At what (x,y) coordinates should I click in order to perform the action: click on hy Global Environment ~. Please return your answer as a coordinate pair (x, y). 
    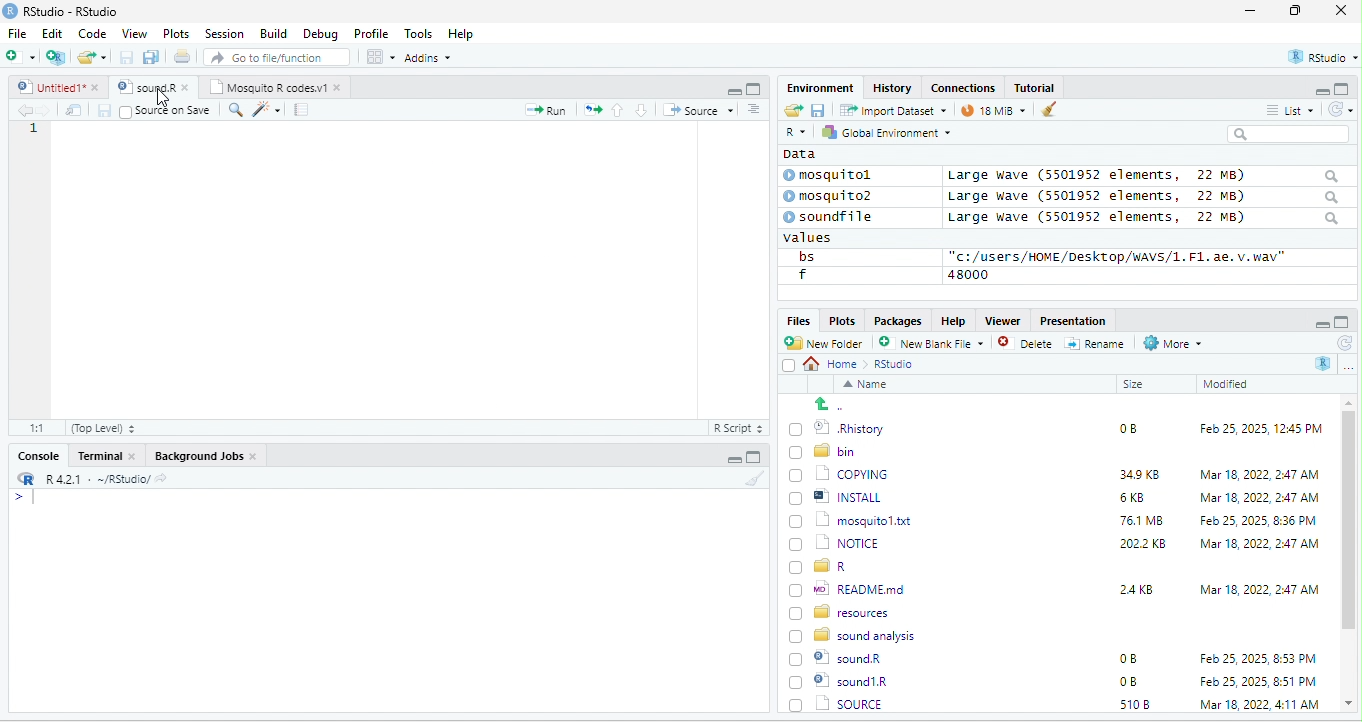
    Looking at the image, I should click on (881, 132).